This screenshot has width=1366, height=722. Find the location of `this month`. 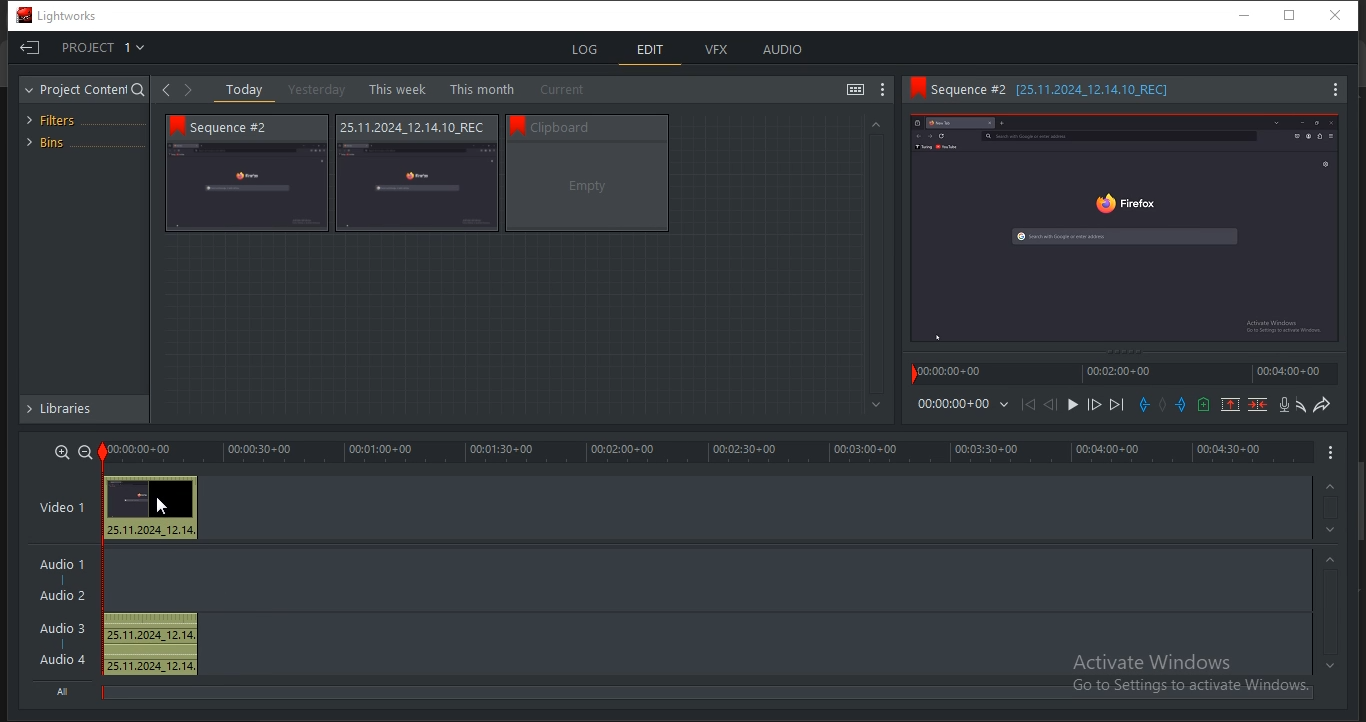

this month is located at coordinates (482, 88).